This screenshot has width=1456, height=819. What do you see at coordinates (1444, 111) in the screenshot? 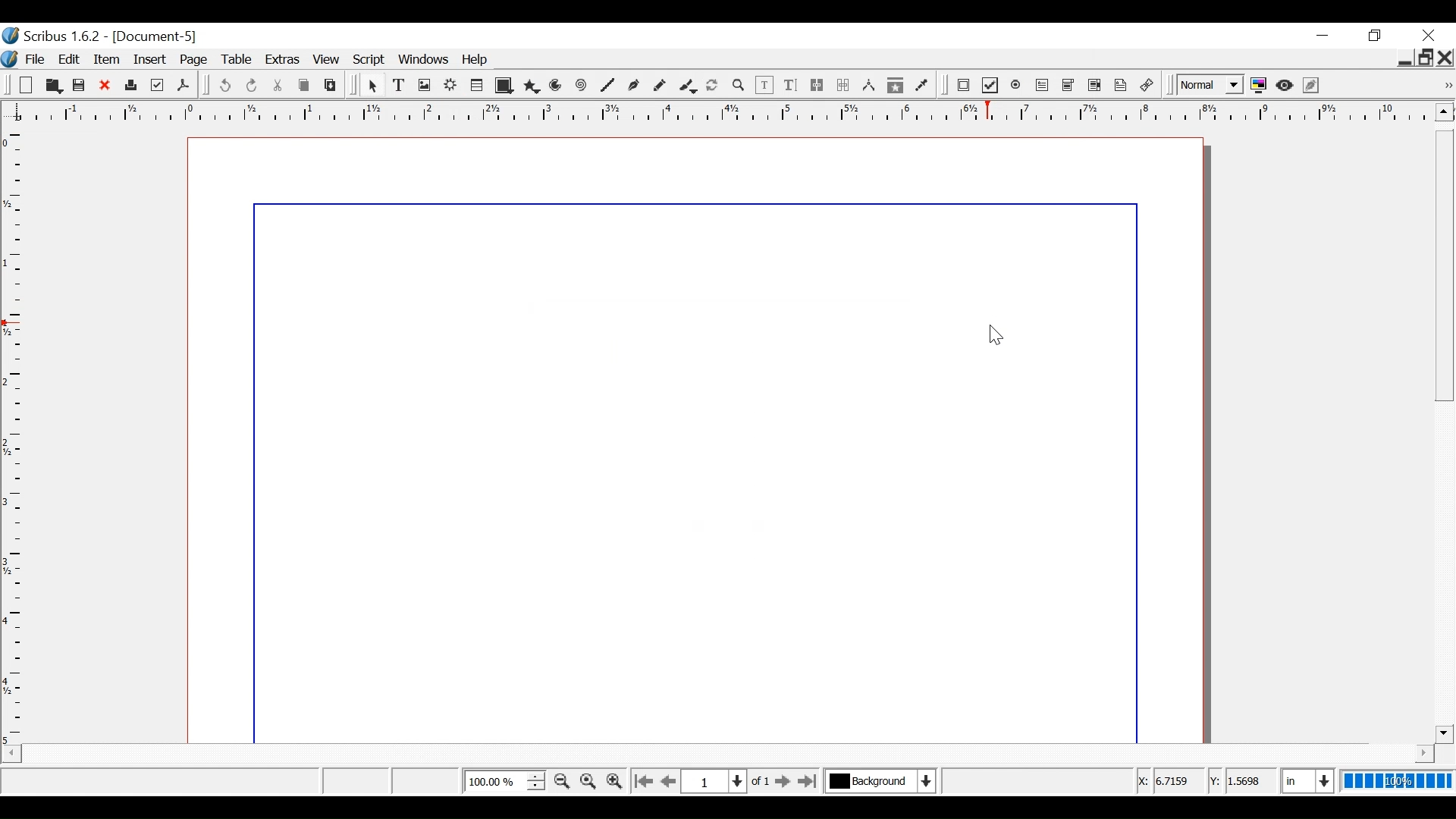
I see `Scroll up` at bounding box center [1444, 111].